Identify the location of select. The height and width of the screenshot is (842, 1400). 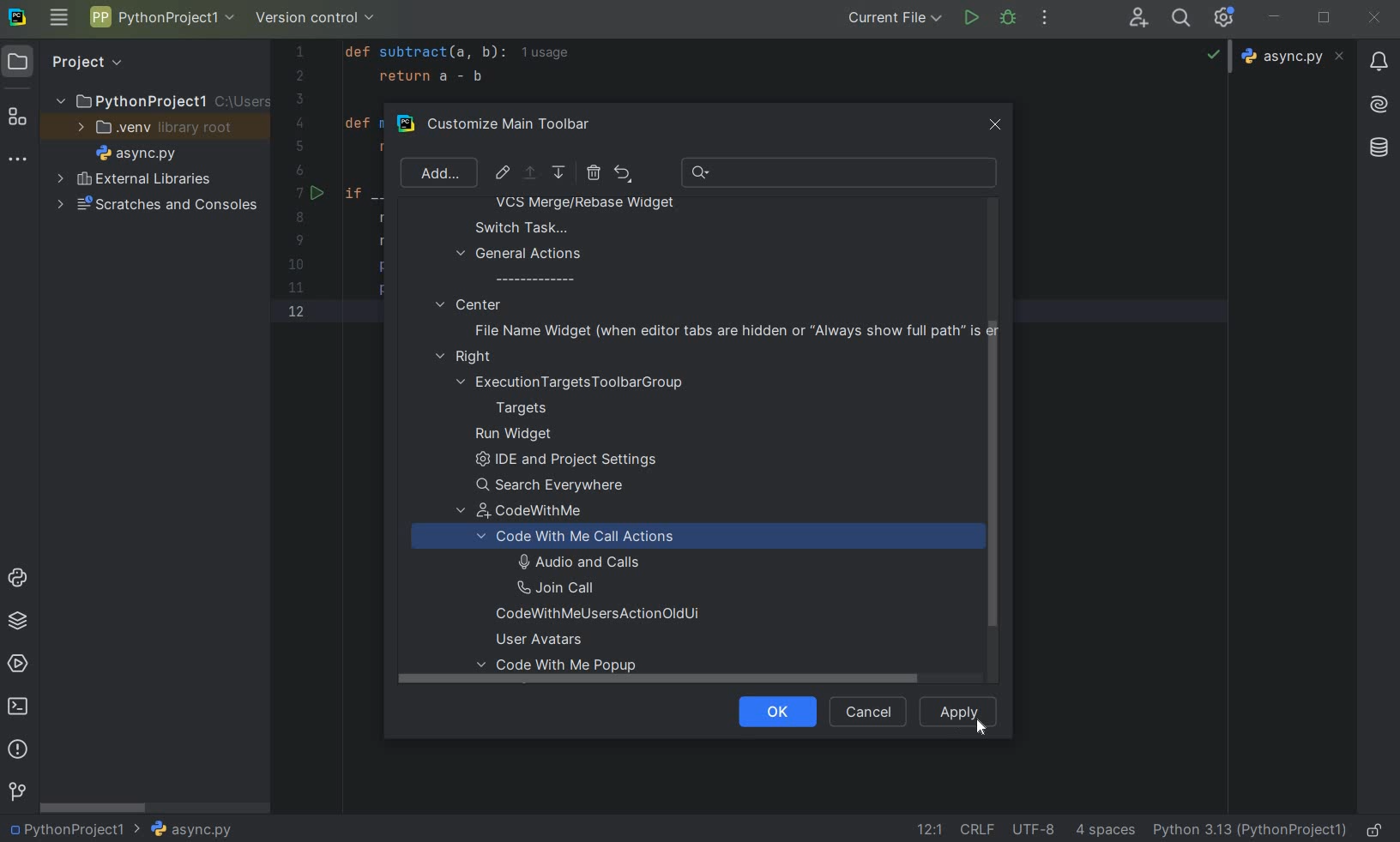
(532, 176).